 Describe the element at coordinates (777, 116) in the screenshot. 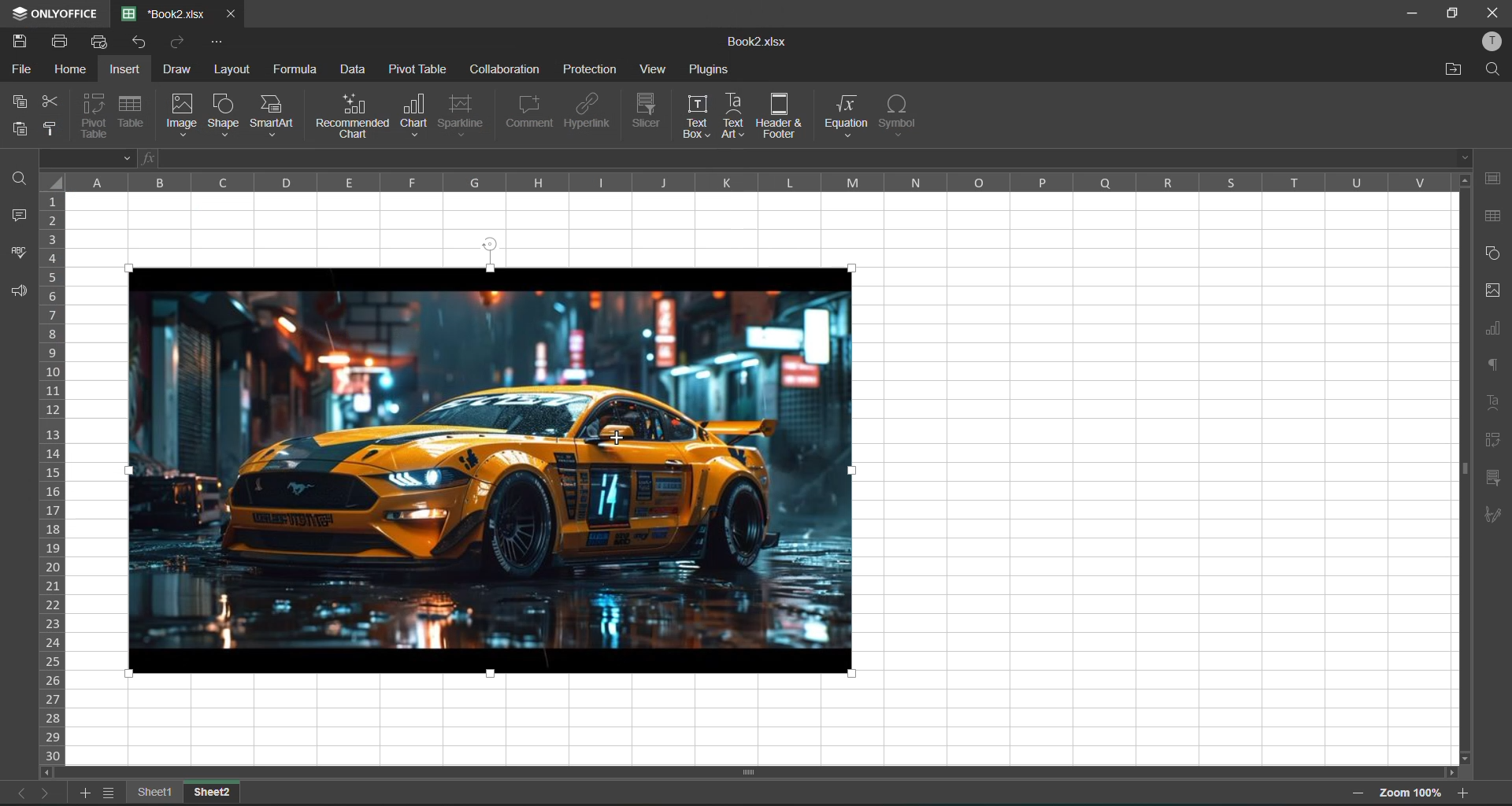

I see `header and footer` at that location.